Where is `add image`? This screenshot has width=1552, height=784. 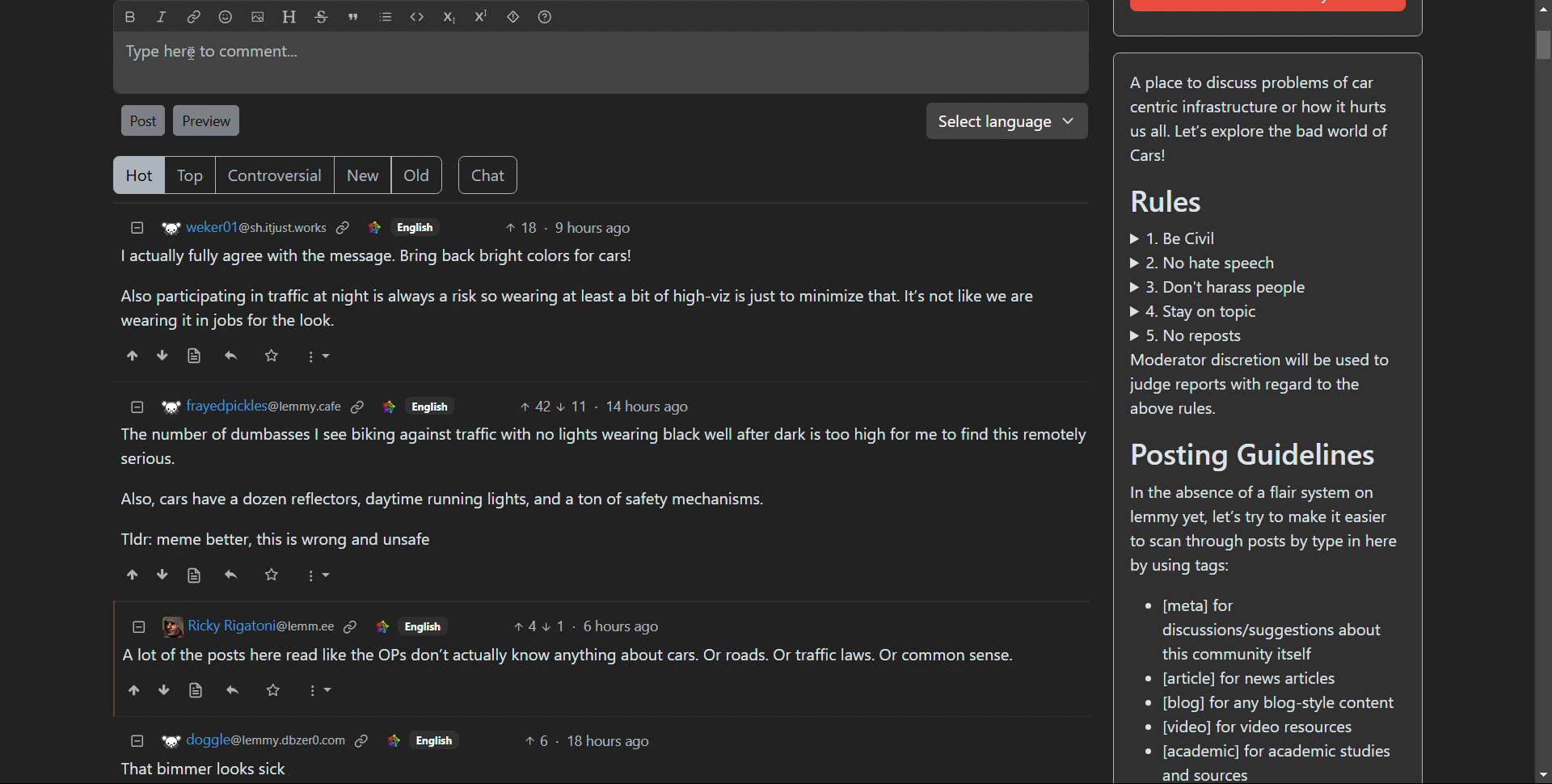
add image is located at coordinates (258, 17).